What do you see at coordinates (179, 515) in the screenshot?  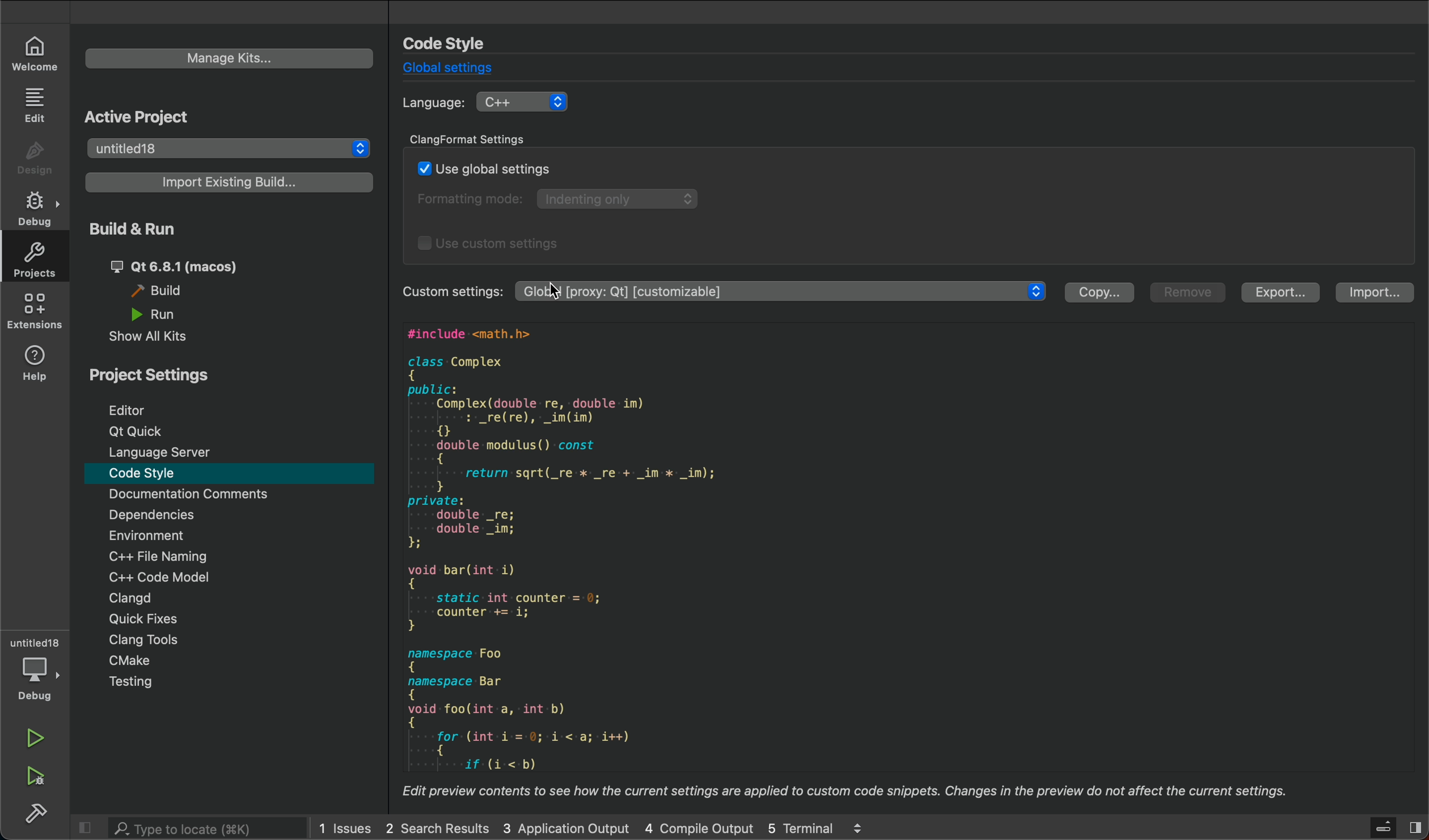 I see `Dependencies ` at bounding box center [179, 515].